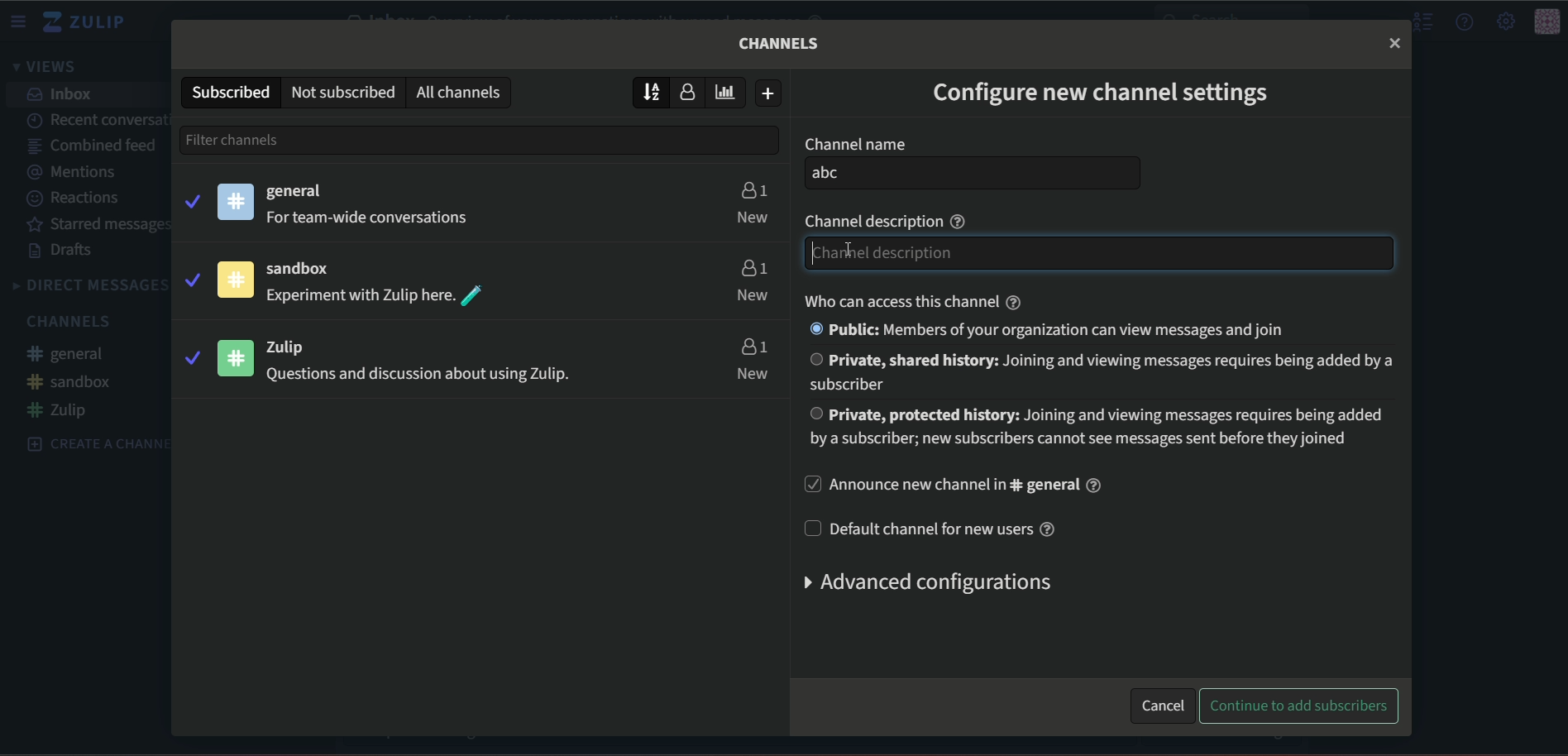 This screenshot has height=756, width=1568. I want to click on cancel, so click(1162, 703).